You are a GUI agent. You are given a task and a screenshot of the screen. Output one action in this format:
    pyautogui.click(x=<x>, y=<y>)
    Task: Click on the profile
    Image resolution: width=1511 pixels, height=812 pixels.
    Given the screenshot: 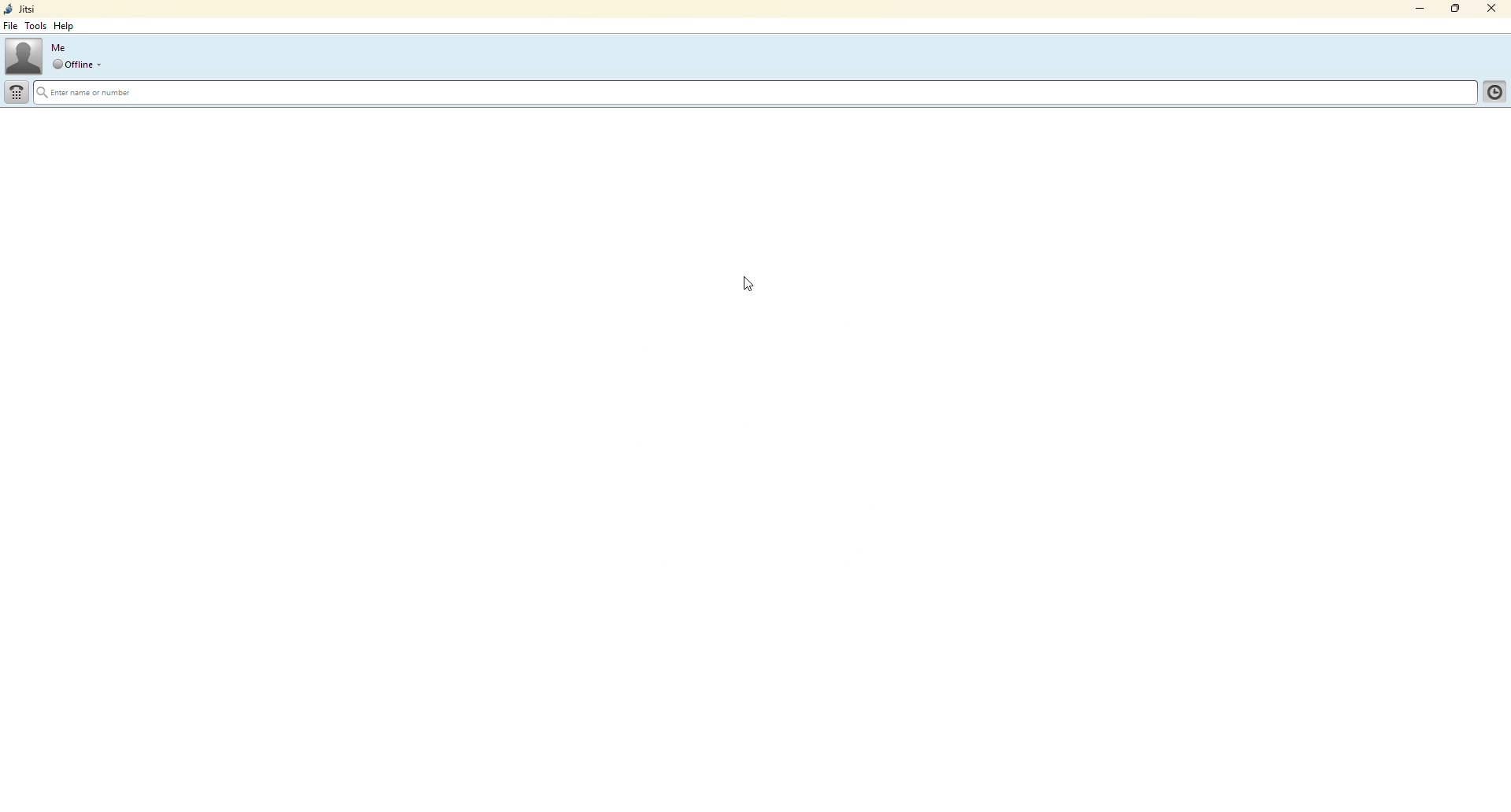 What is the action you would take?
    pyautogui.click(x=24, y=55)
    